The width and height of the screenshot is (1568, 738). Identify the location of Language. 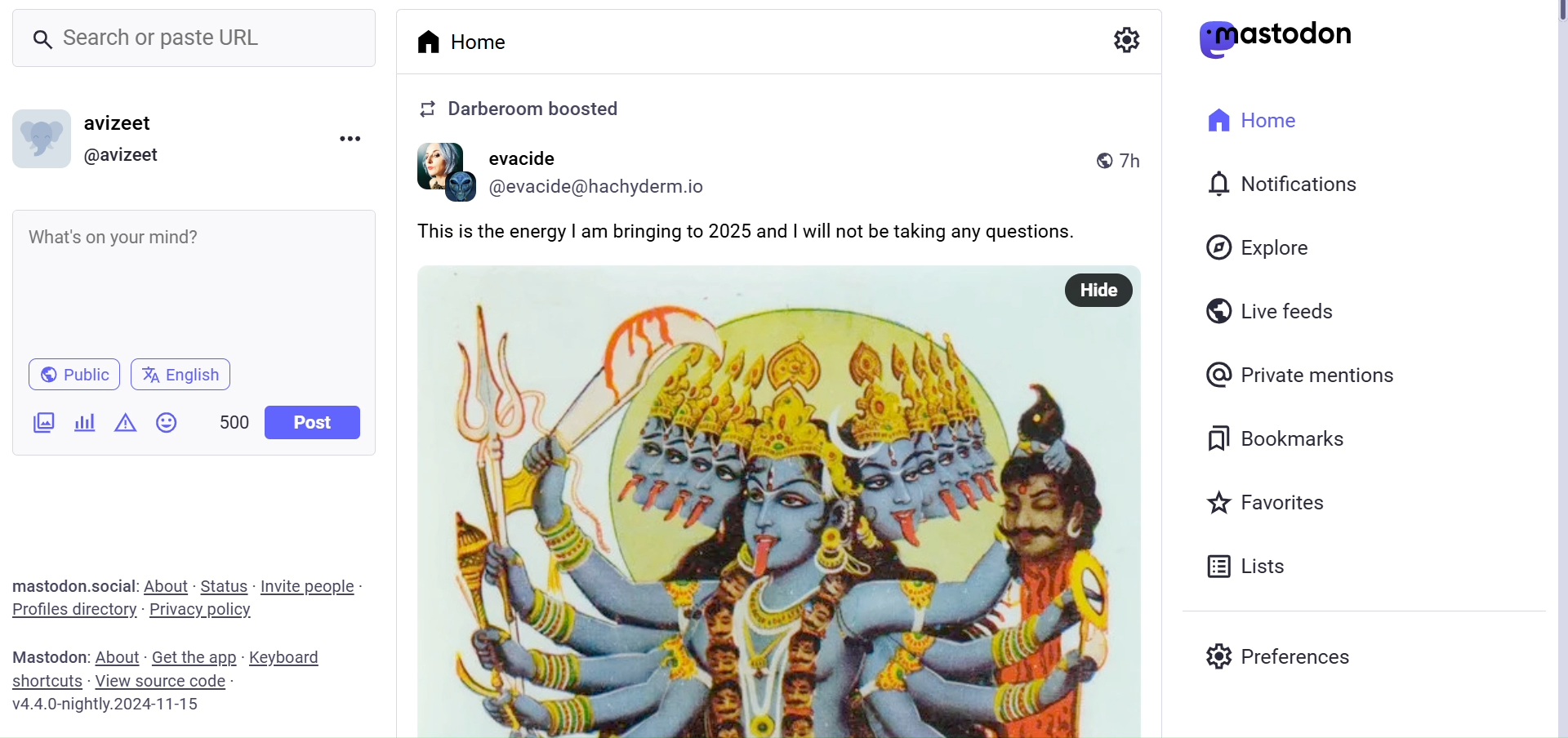
(180, 373).